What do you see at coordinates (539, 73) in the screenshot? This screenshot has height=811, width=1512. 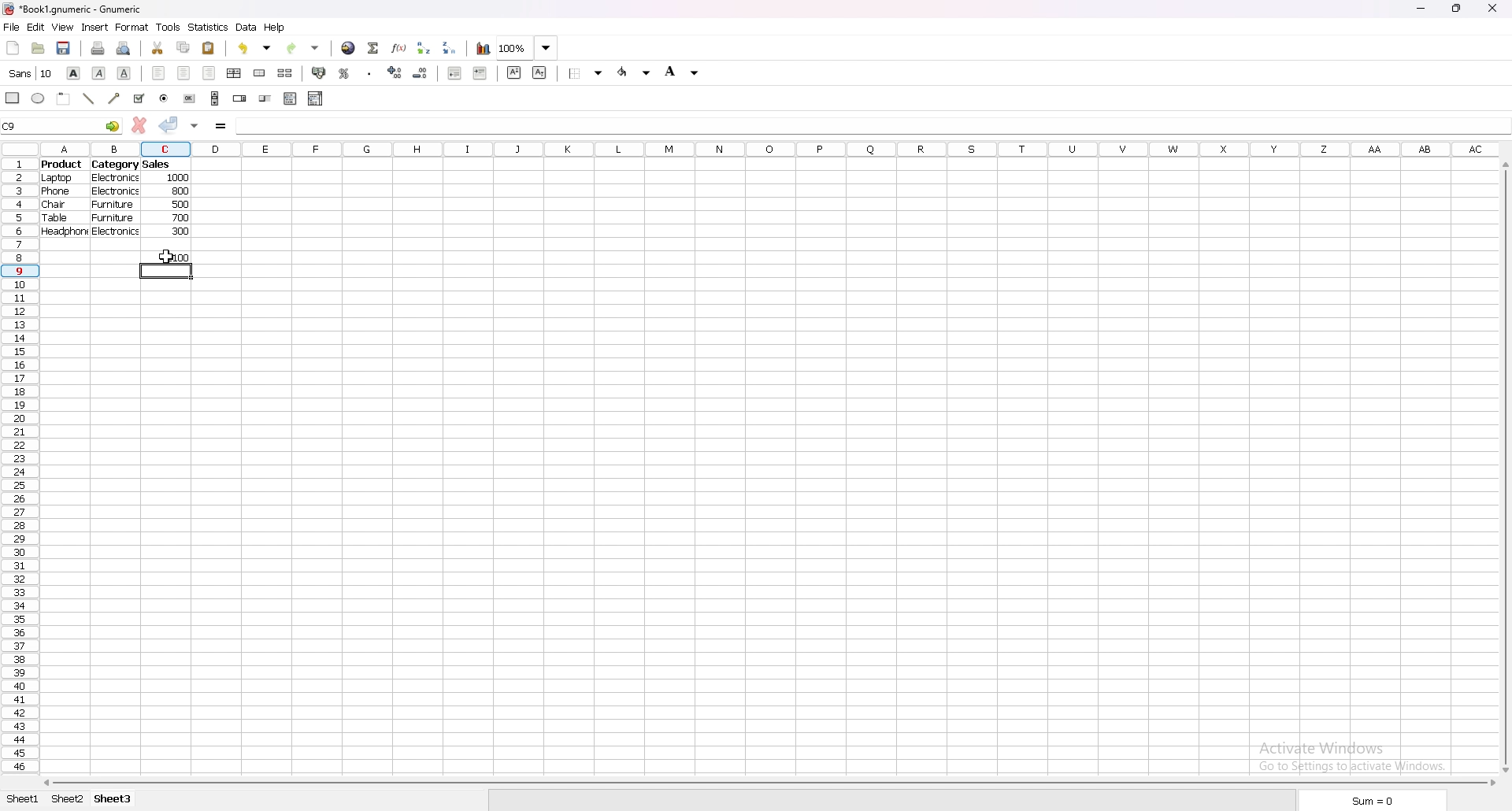 I see `subscript` at bounding box center [539, 73].